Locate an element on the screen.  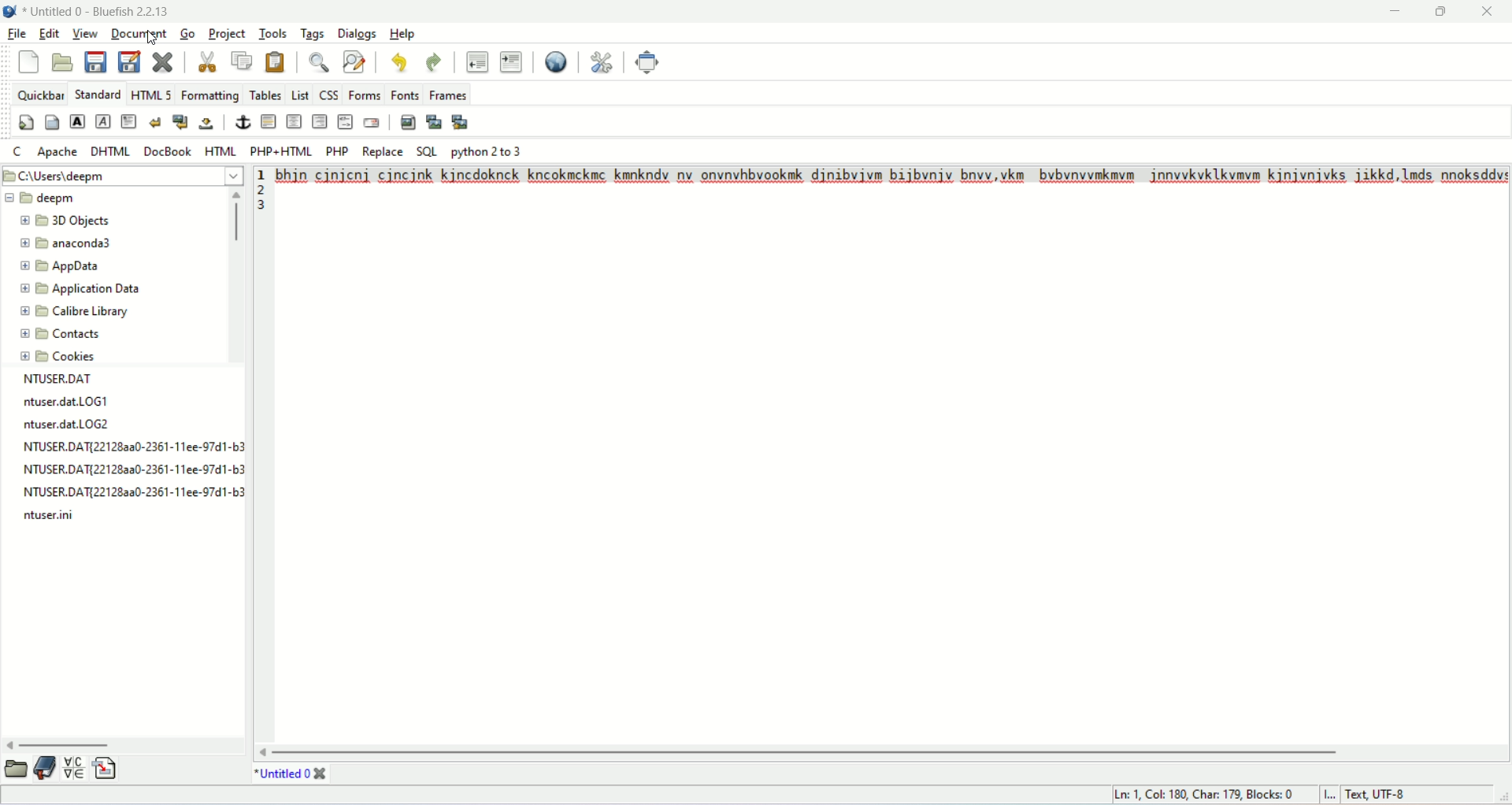
3D object is located at coordinates (69, 220).